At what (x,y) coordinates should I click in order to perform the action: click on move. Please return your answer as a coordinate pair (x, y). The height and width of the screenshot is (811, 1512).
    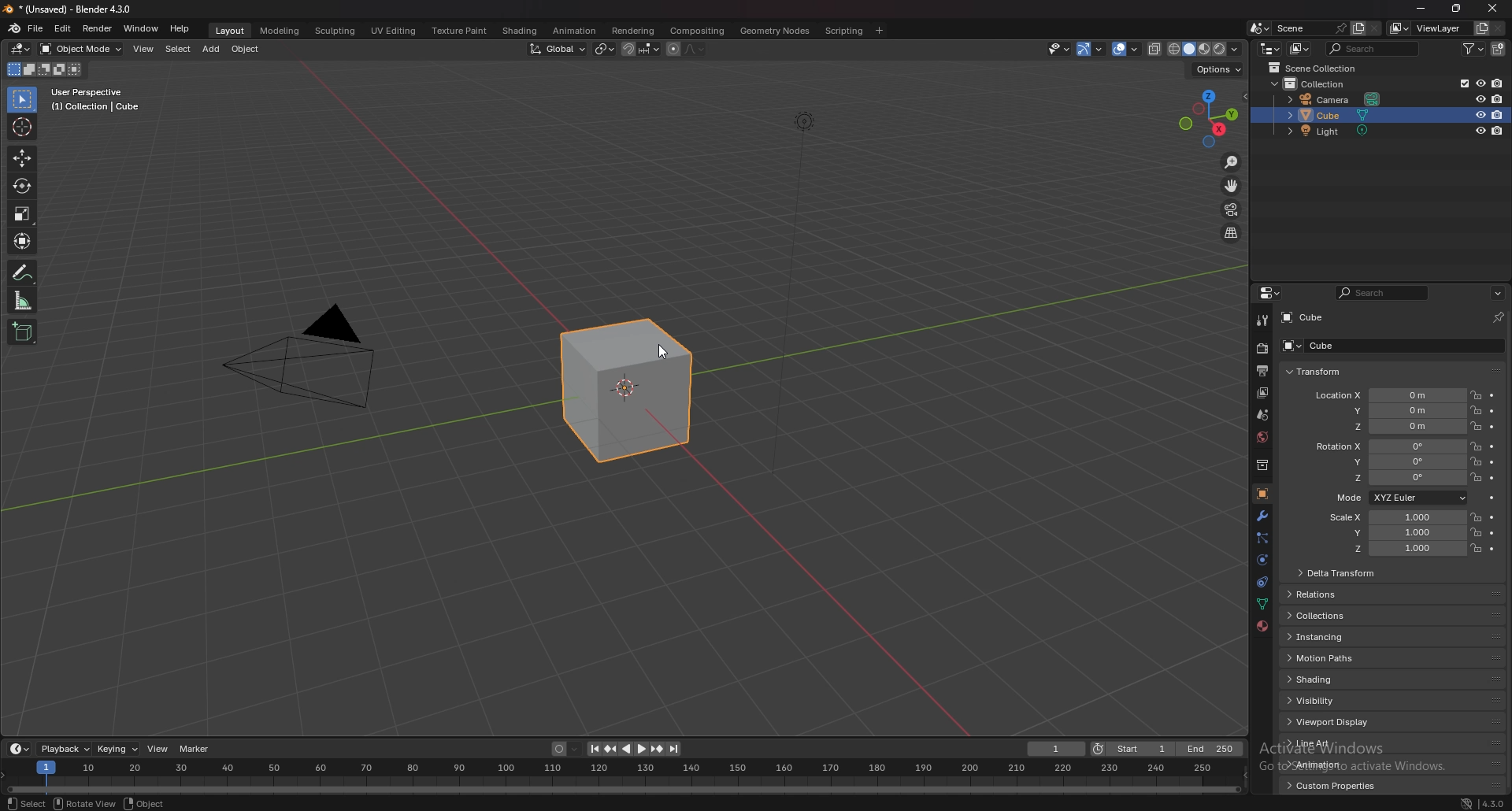
    Looking at the image, I should click on (23, 157).